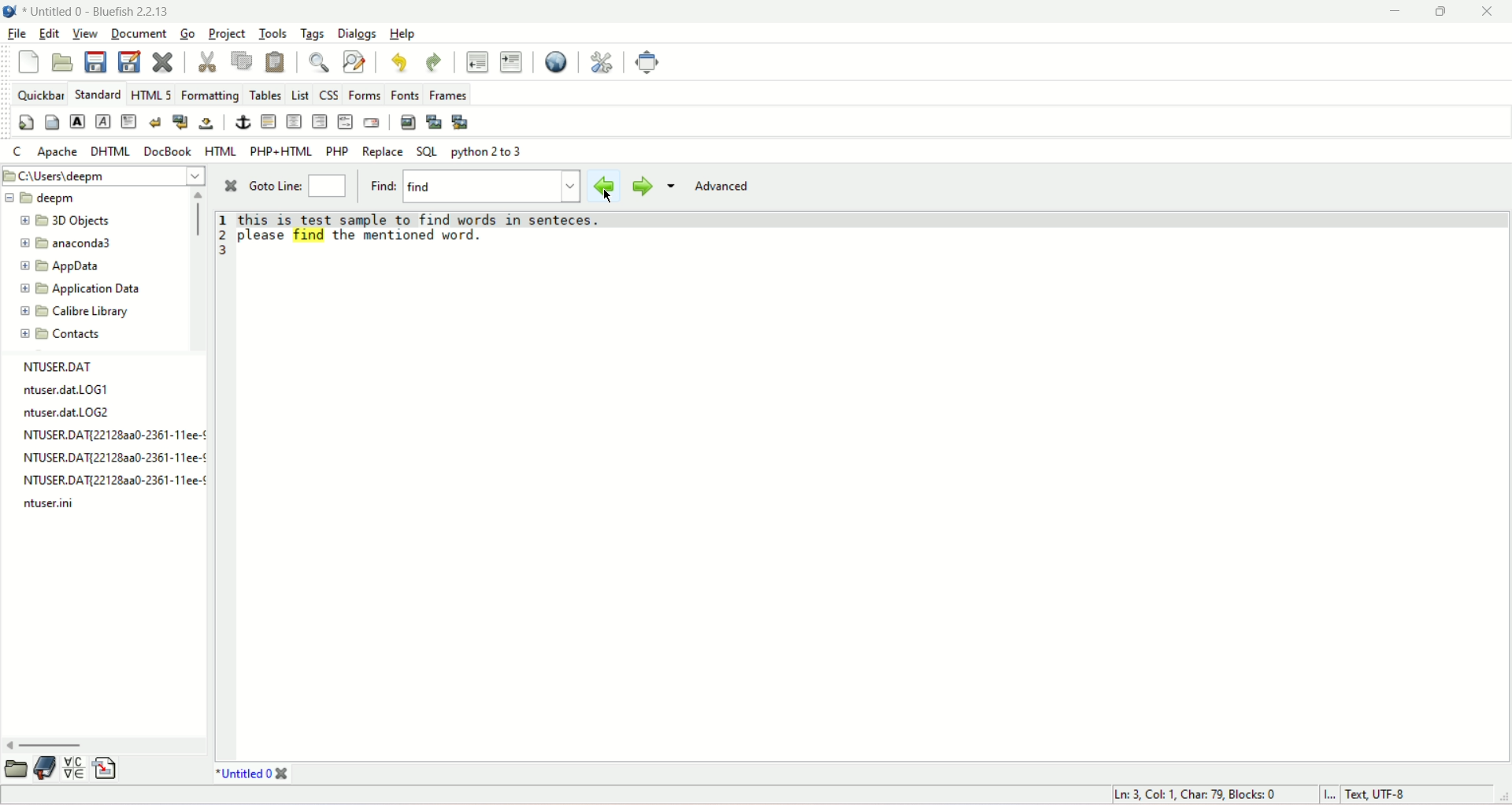 The width and height of the screenshot is (1512, 805). What do you see at coordinates (66, 244) in the screenshot?
I see `anaconda3` at bounding box center [66, 244].